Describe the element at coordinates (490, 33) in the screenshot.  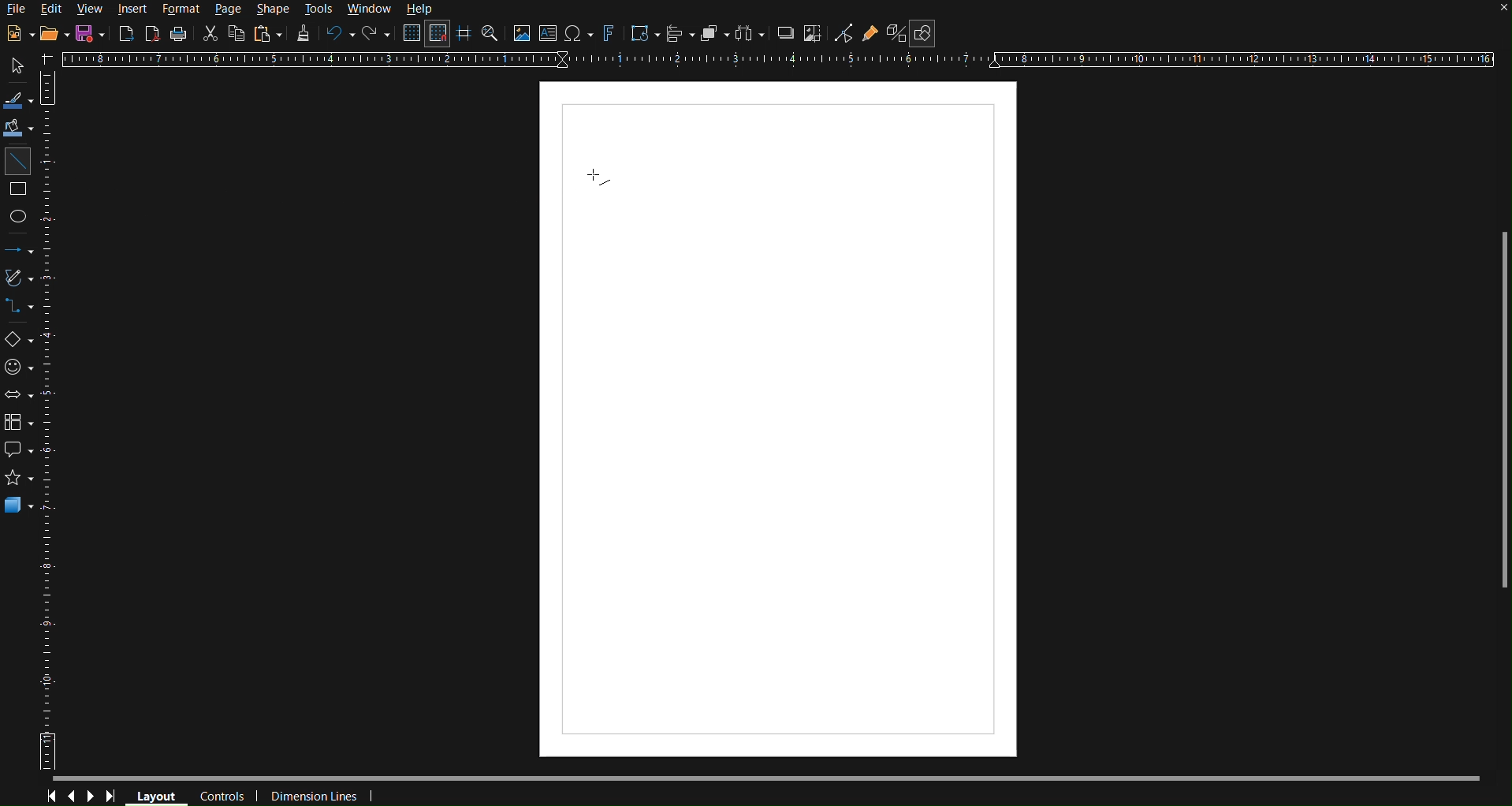
I see `Zoom and Pan` at that location.